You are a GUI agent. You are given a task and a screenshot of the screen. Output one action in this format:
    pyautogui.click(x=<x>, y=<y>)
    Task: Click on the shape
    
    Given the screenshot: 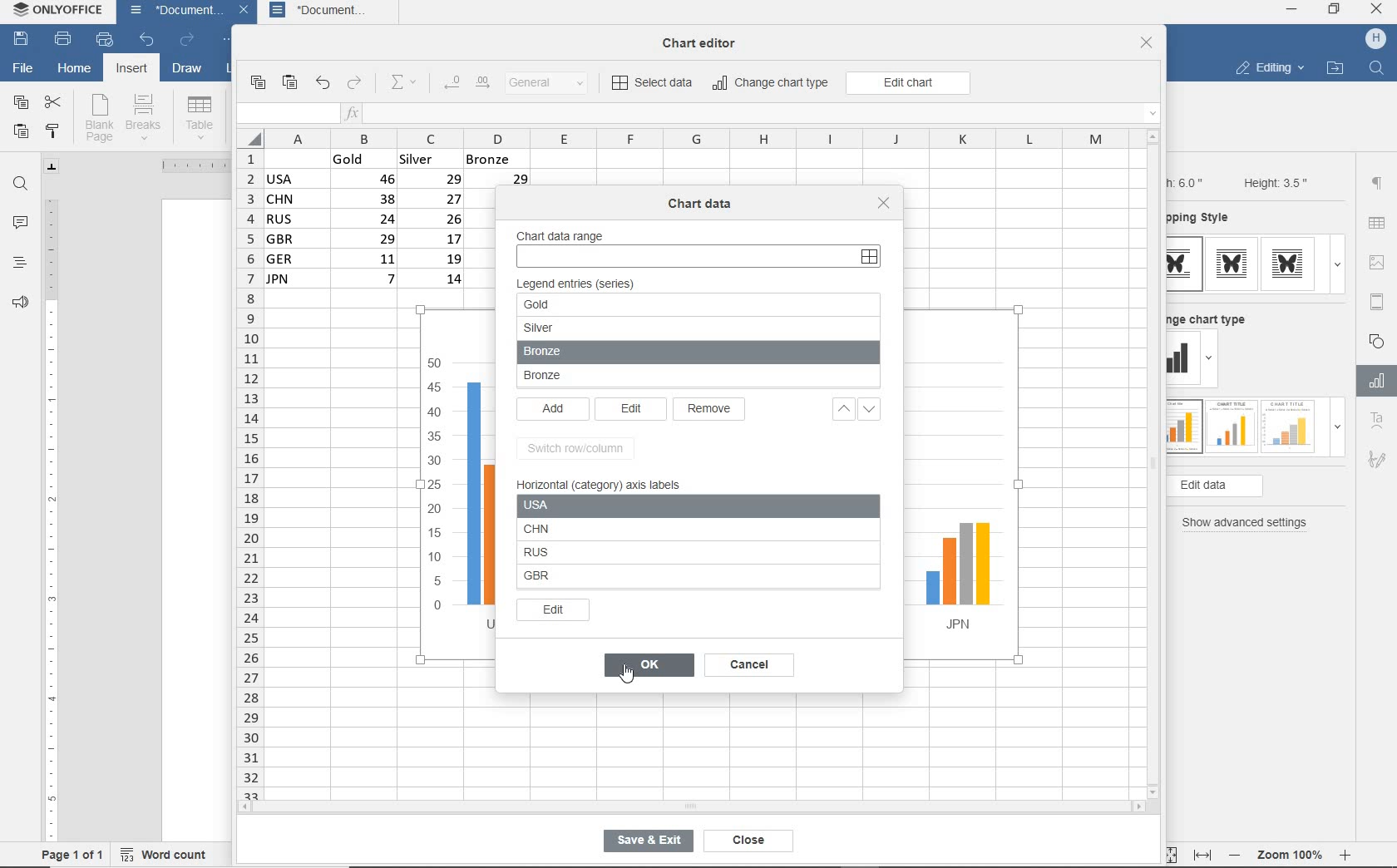 What is the action you would take?
    pyautogui.click(x=1379, y=340)
    